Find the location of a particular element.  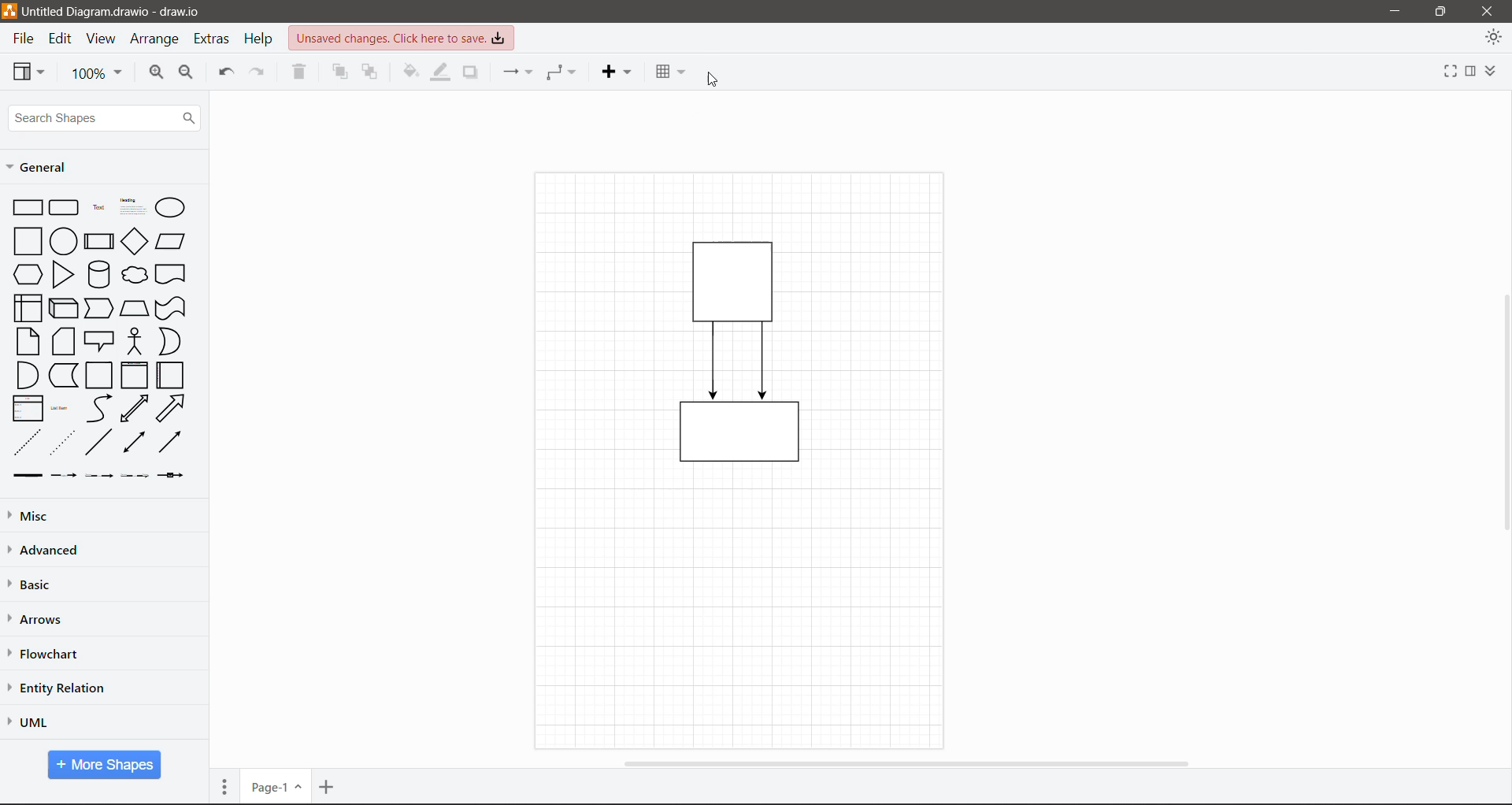

Parallelogram is located at coordinates (171, 241).